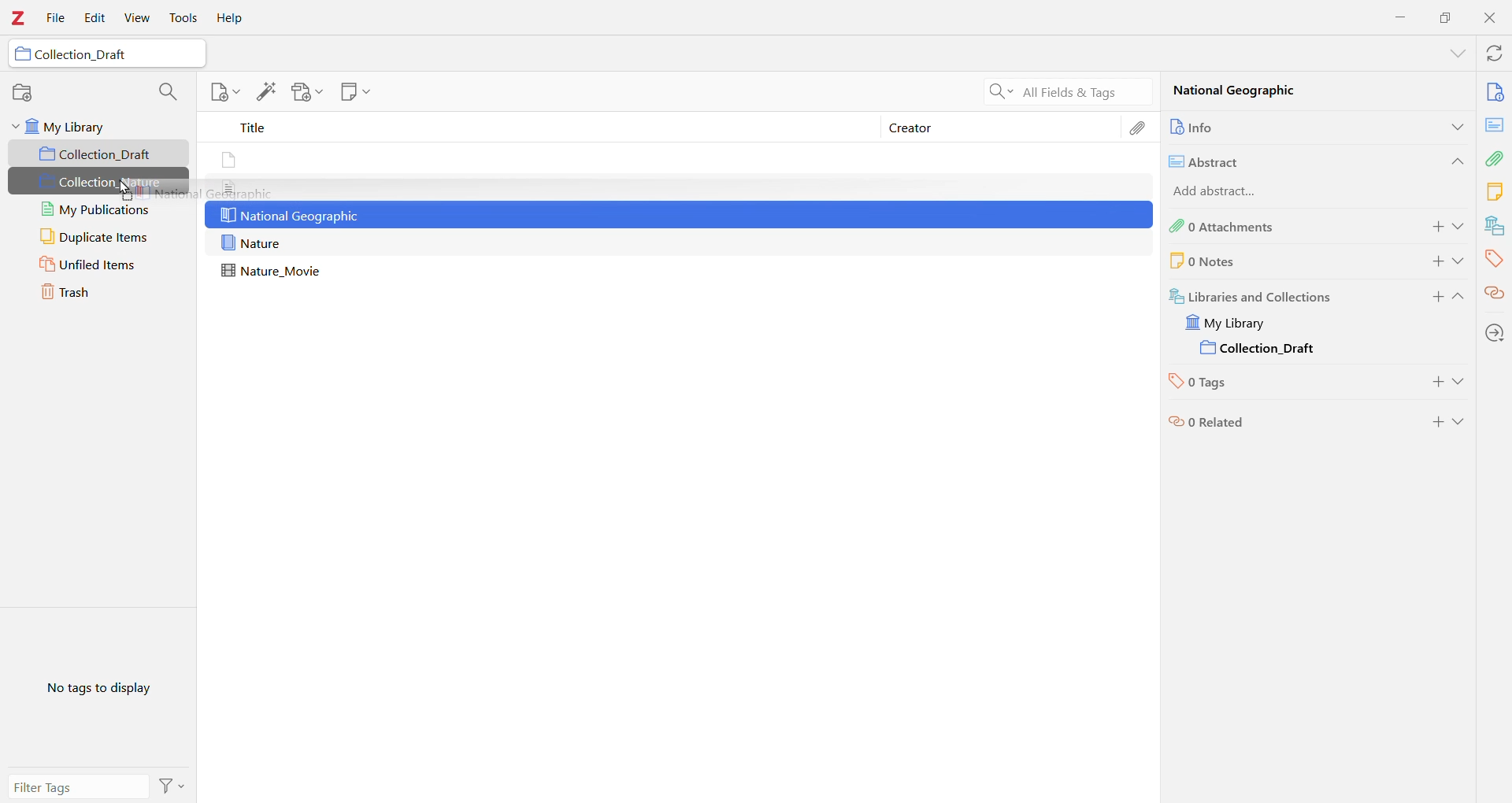 The width and height of the screenshot is (1512, 803). Describe the element at coordinates (1141, 128) in the screenshot. I see `Attachments` at that location.